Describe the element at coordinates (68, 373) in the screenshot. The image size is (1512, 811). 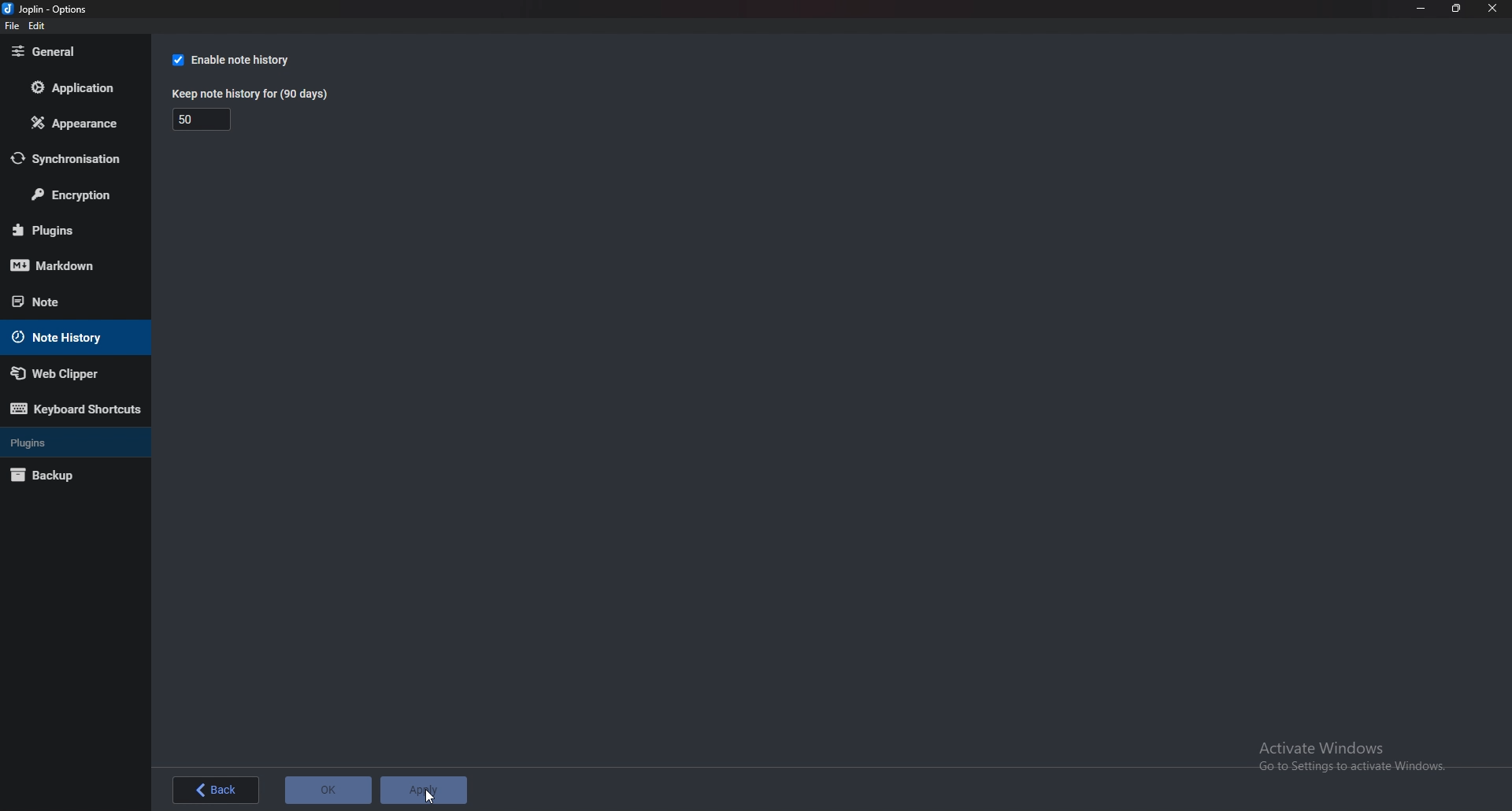
I see `Web Clipper` at that location.